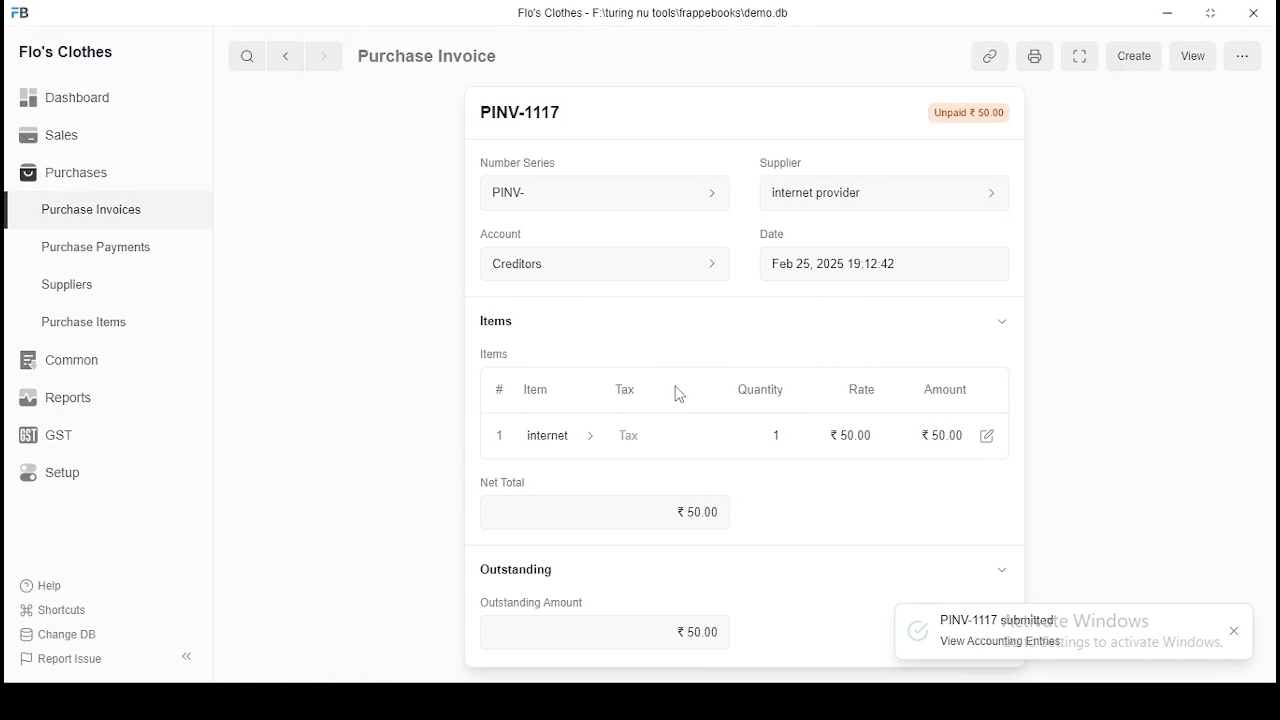 The width and height of the screenshot is (1280, 720). What do you see at coordinates (936, 390) in the screenshot?
I see `amount` at bounding box center [936, 390].